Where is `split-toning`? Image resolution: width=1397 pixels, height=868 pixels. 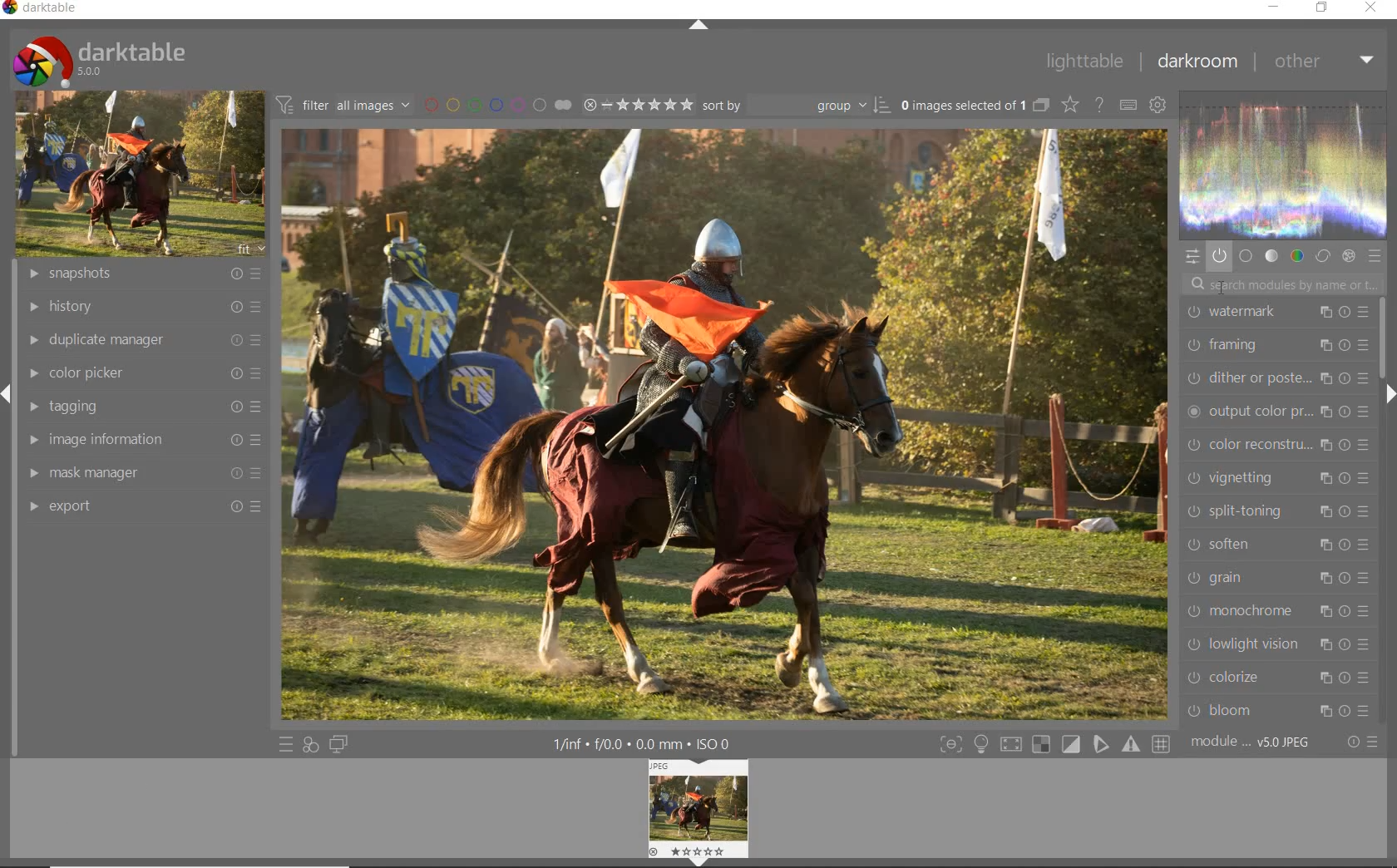 split-toning is located at coordinates (1275, 510).